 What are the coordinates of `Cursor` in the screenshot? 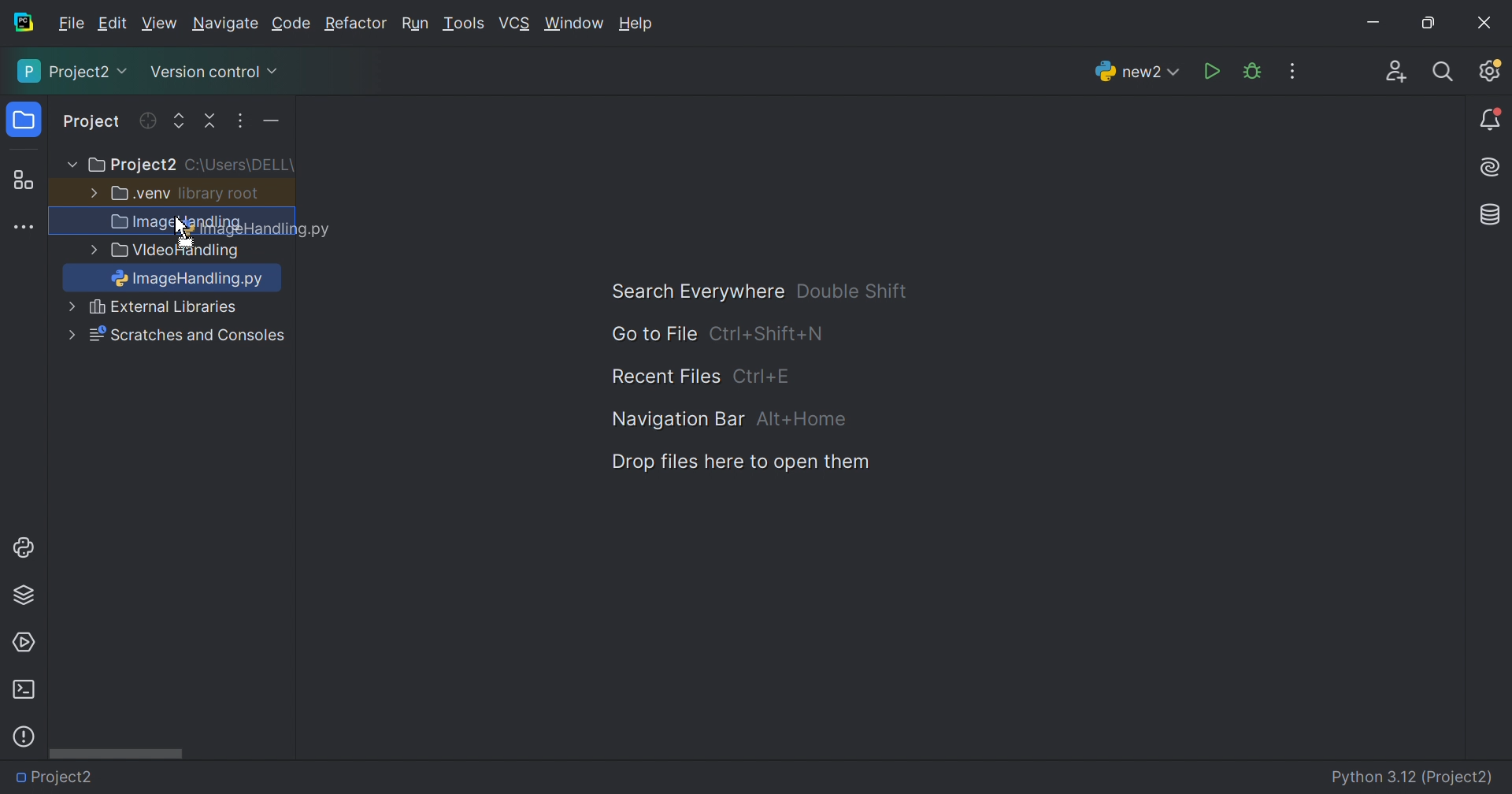 It's located at (179, 228).